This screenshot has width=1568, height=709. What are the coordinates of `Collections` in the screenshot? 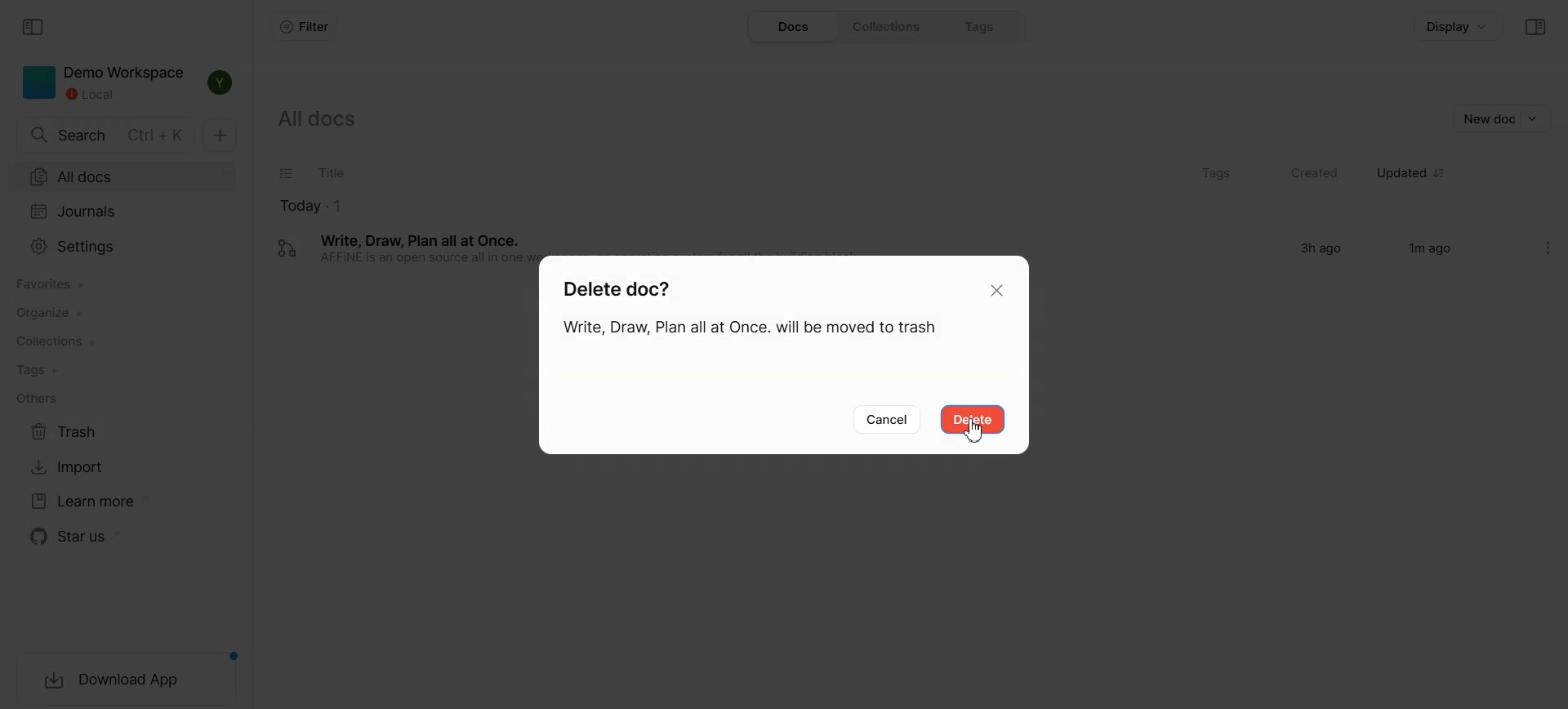 It's located at (122, 342).